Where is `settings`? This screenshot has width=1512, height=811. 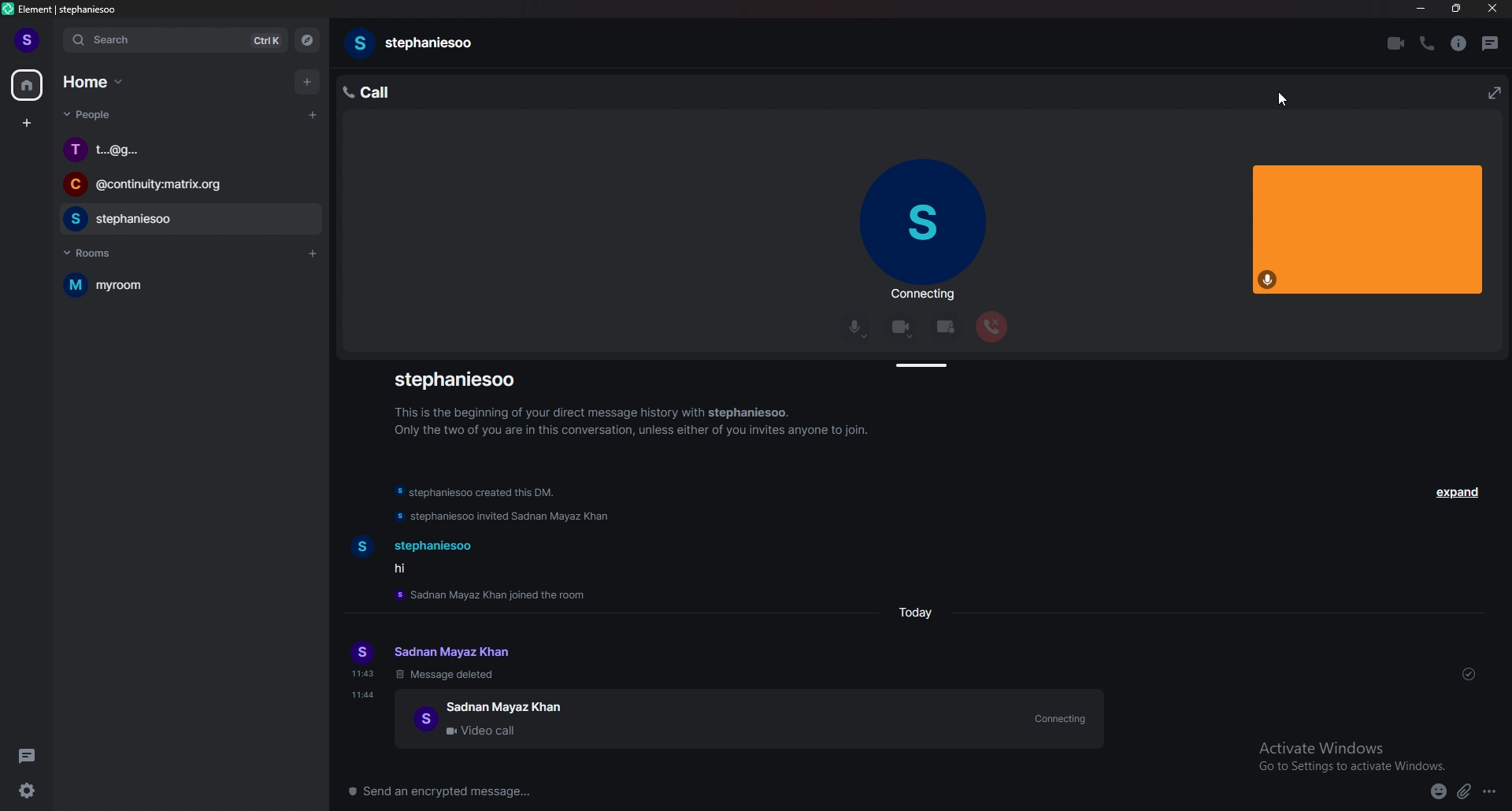
settings is located at coordinates (27, 791).